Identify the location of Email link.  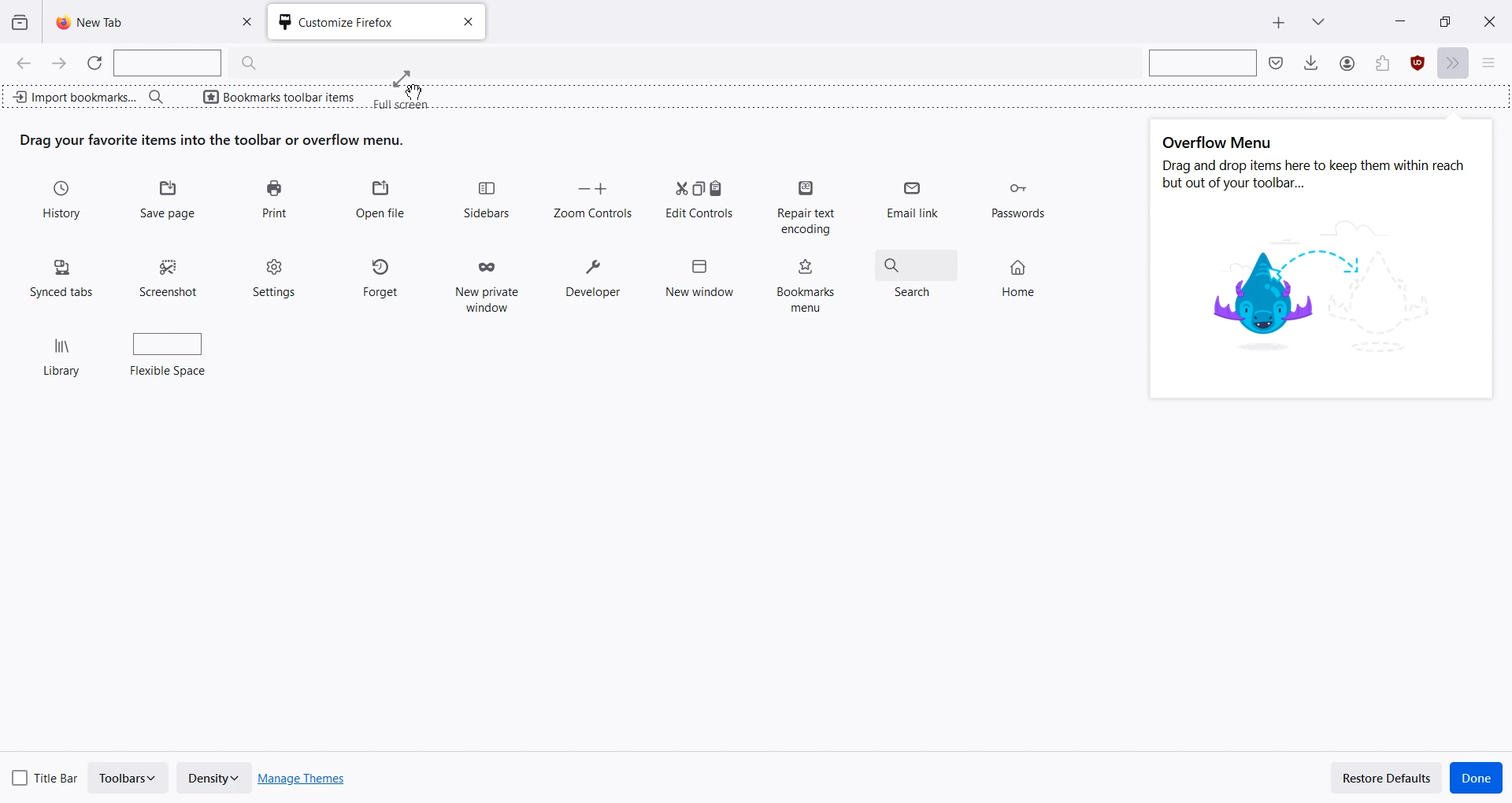
(915, 205).